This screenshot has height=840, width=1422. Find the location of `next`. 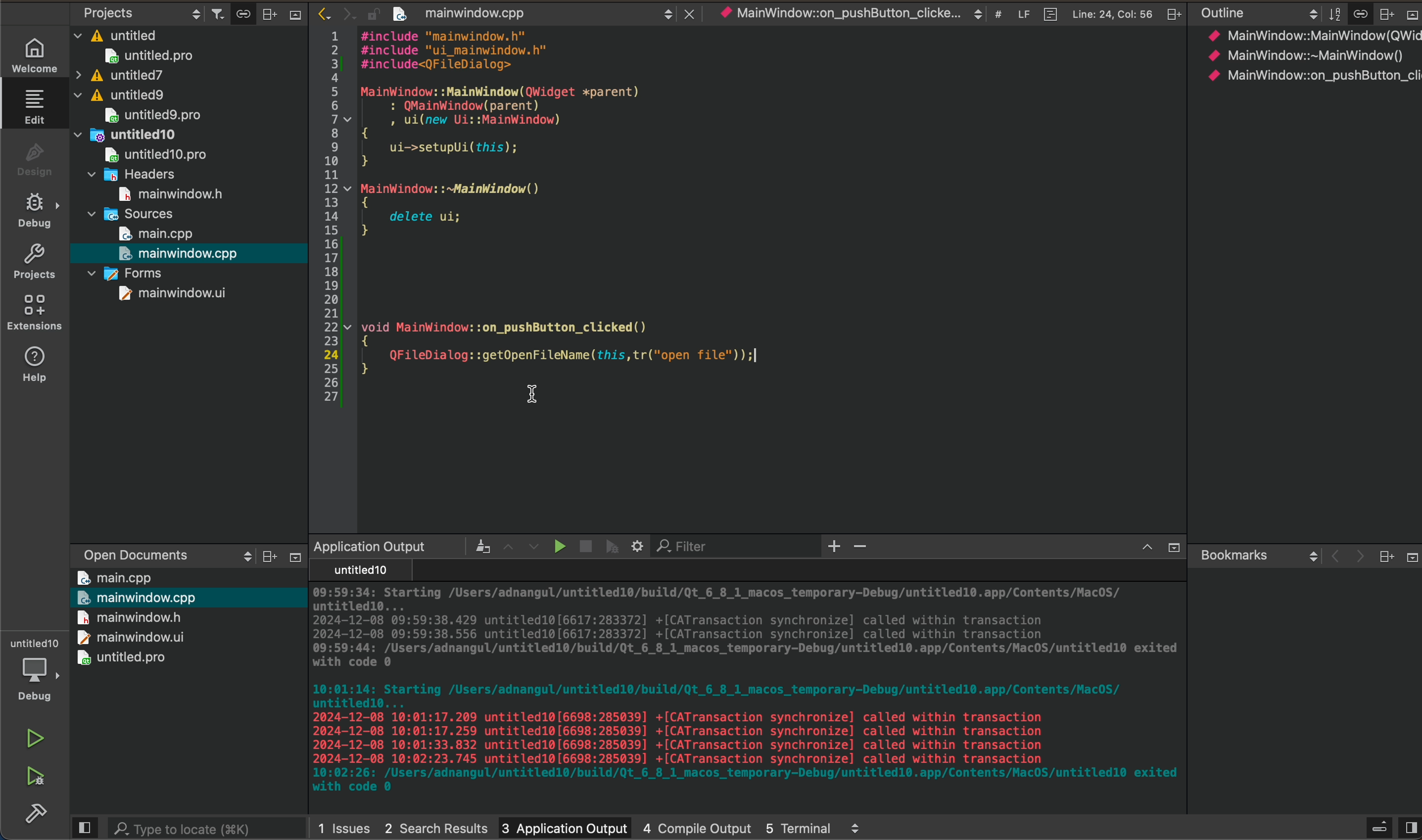

next is located at coordinates (1356, 558).